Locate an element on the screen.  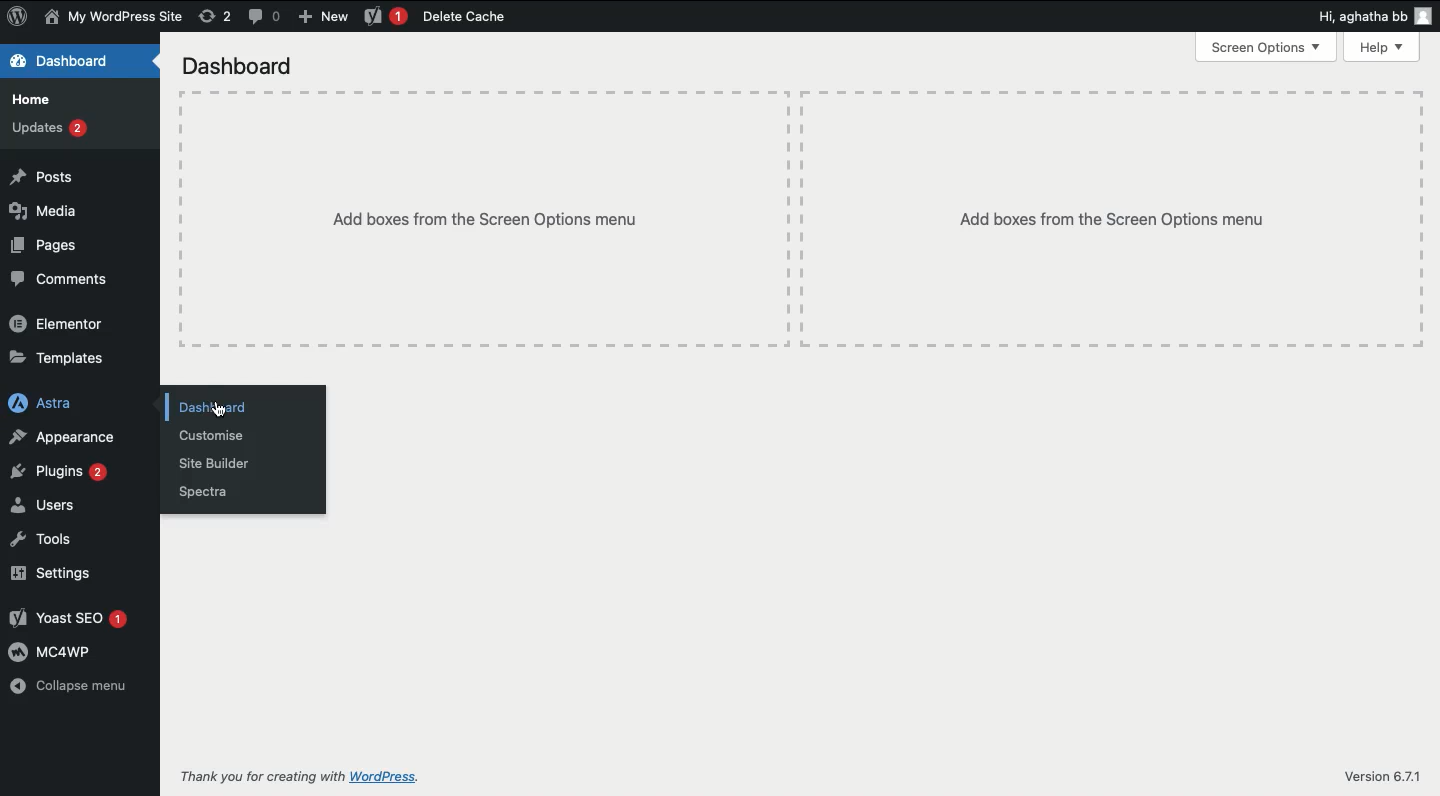
Thank you for creating with is located at coordinates (262, 771).